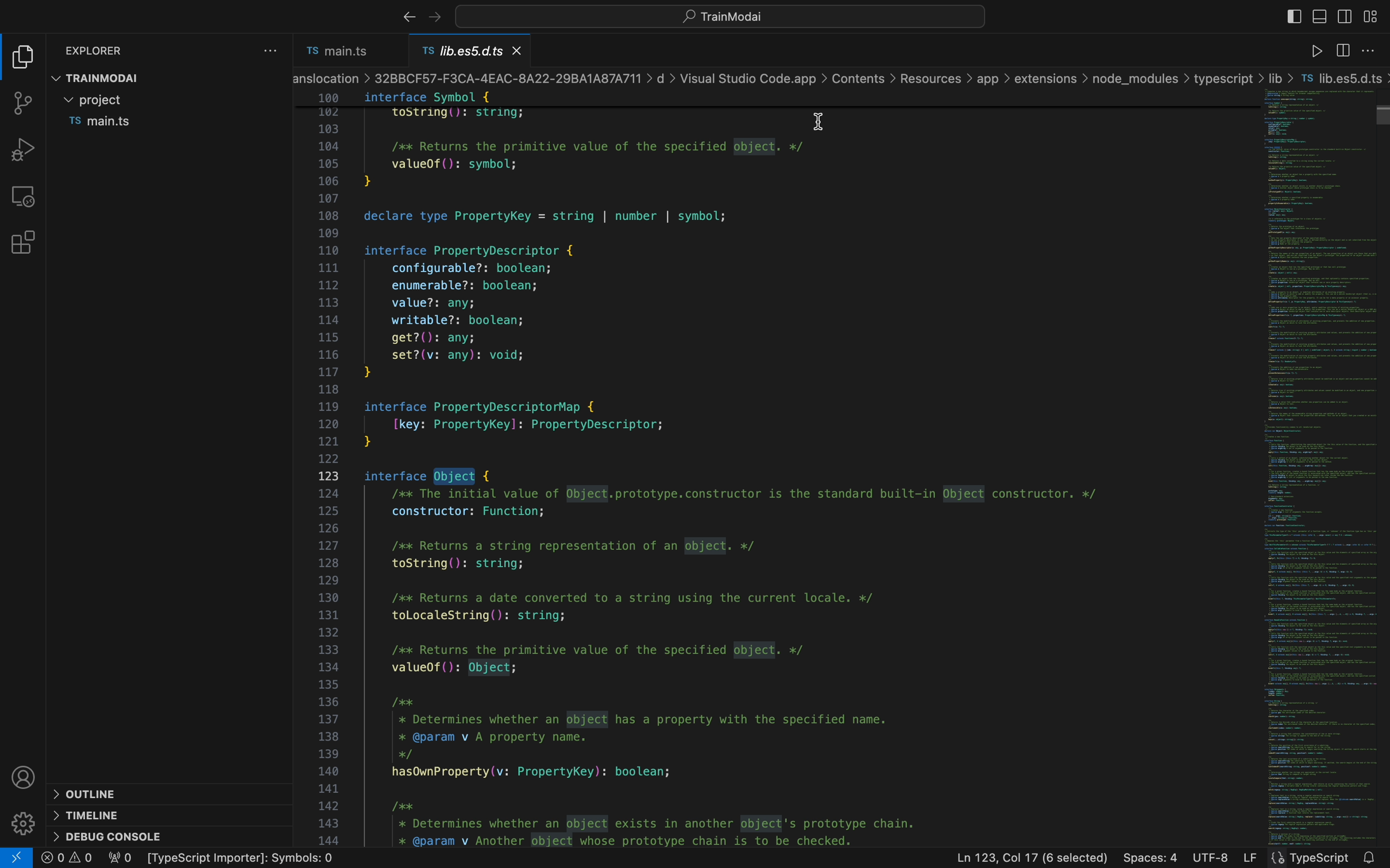 This screenshot has width=1390, height=868. Describe the element at coordinates (25, 55) in the screenshot. I see `file explore` at that location.